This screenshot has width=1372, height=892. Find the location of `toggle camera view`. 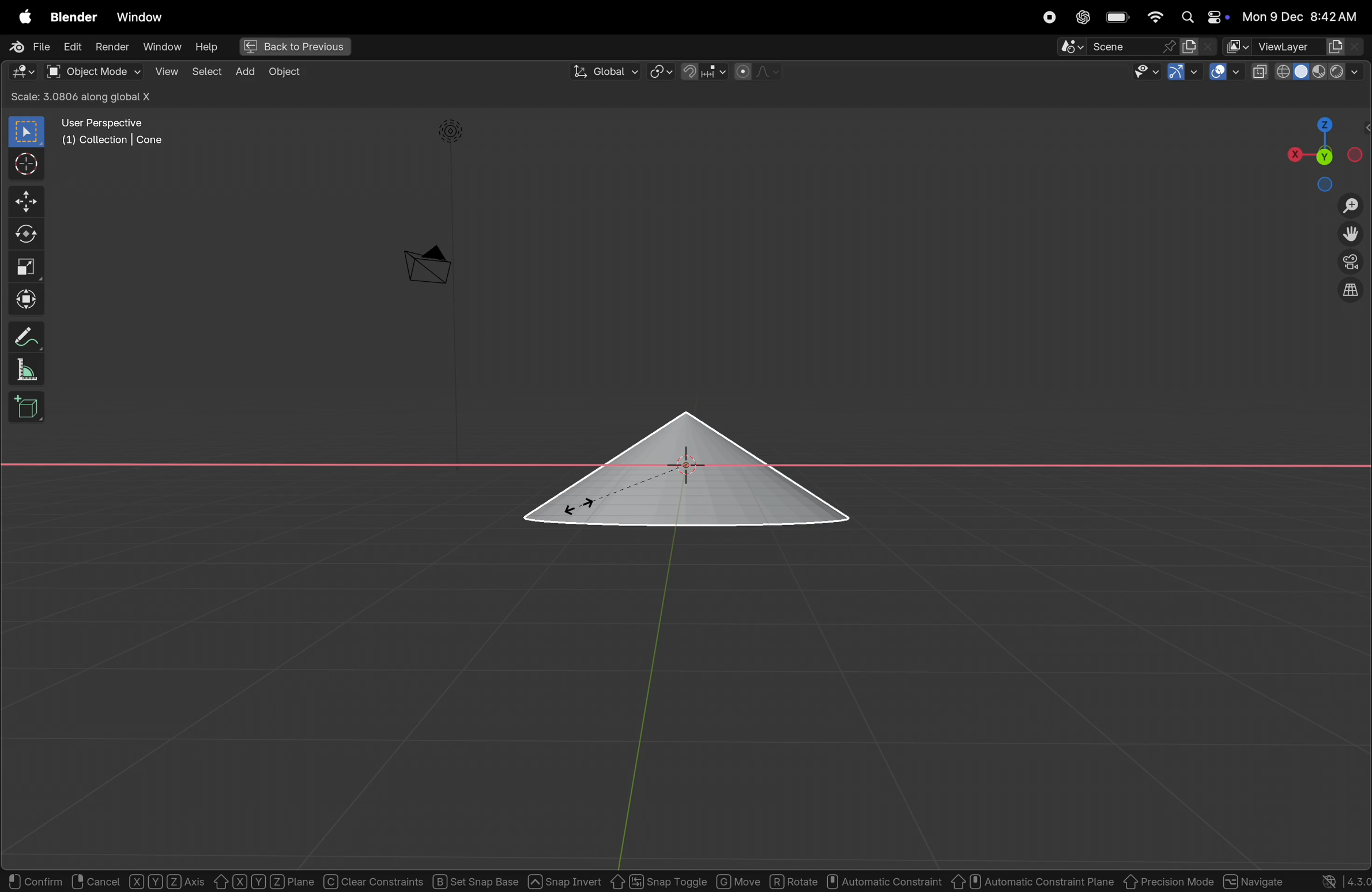

toggle camera view is located at coordinates (1352, 260).